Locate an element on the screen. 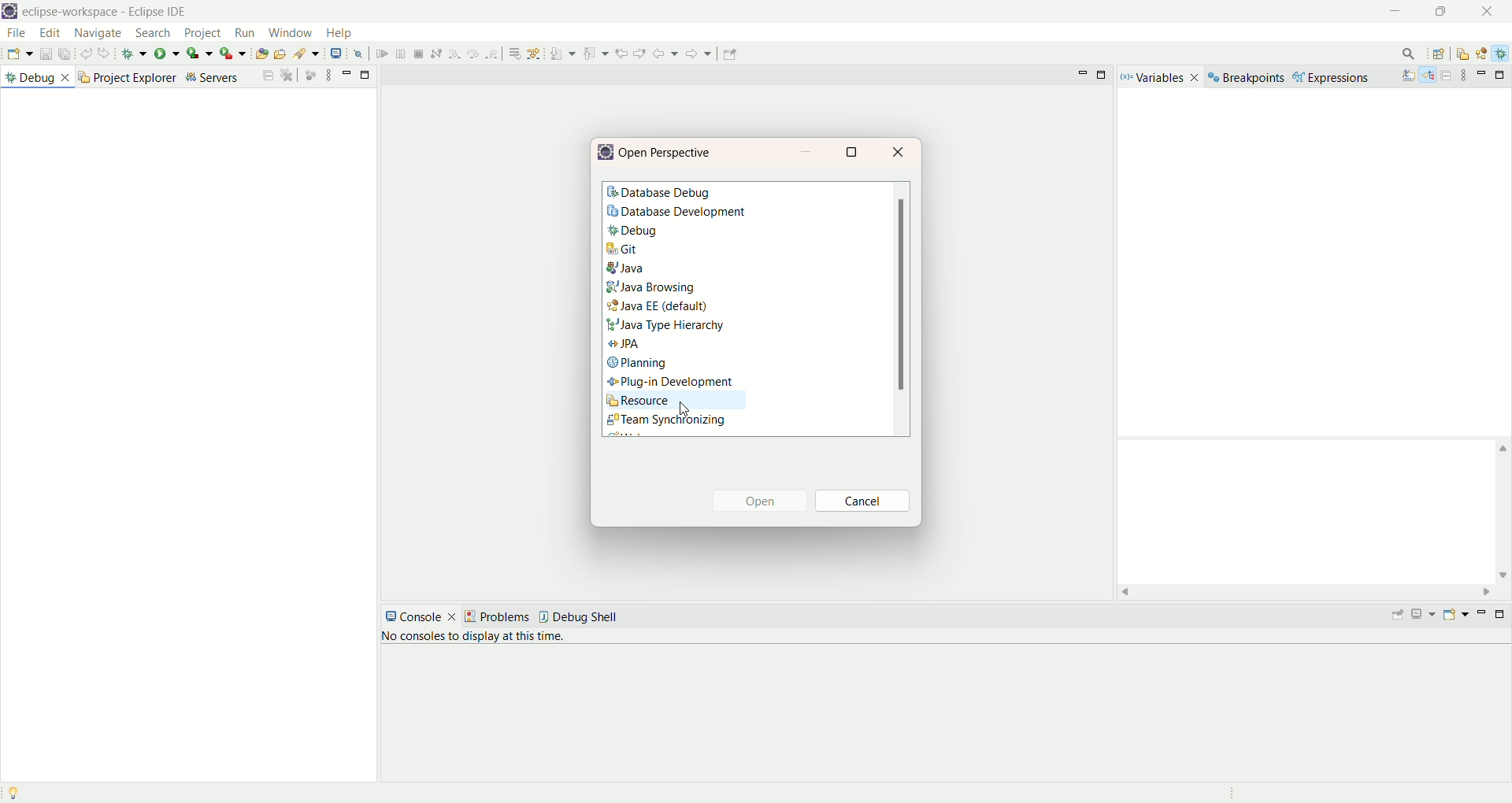 The width and height of the screenshot is (1512, 803). terminate is located at coordinates (533, 53).